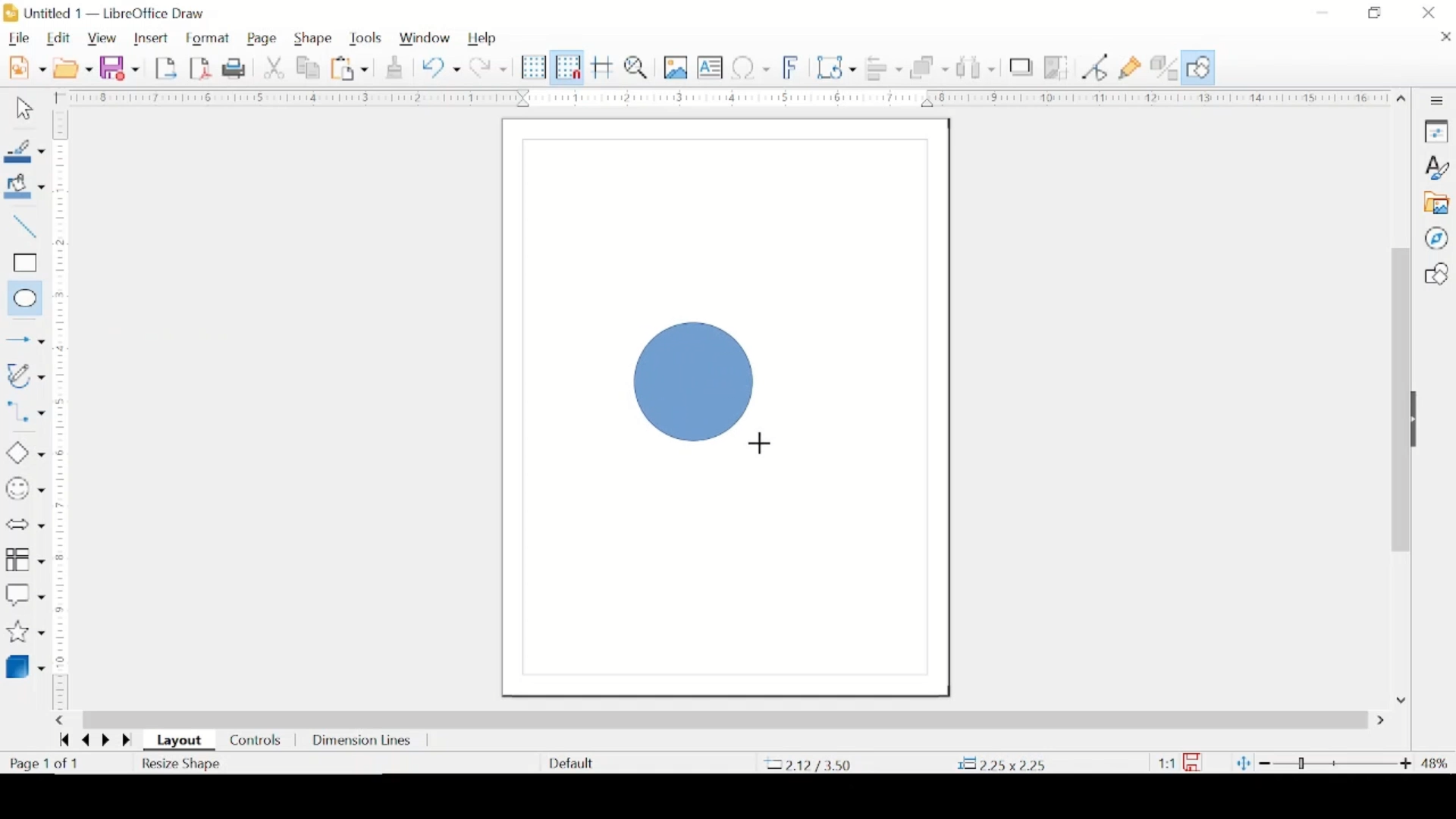 This screenshot has height=819, width=1456. Describe the element at coordinates (256, 739) in the screenshot. I see `controls` at that location.